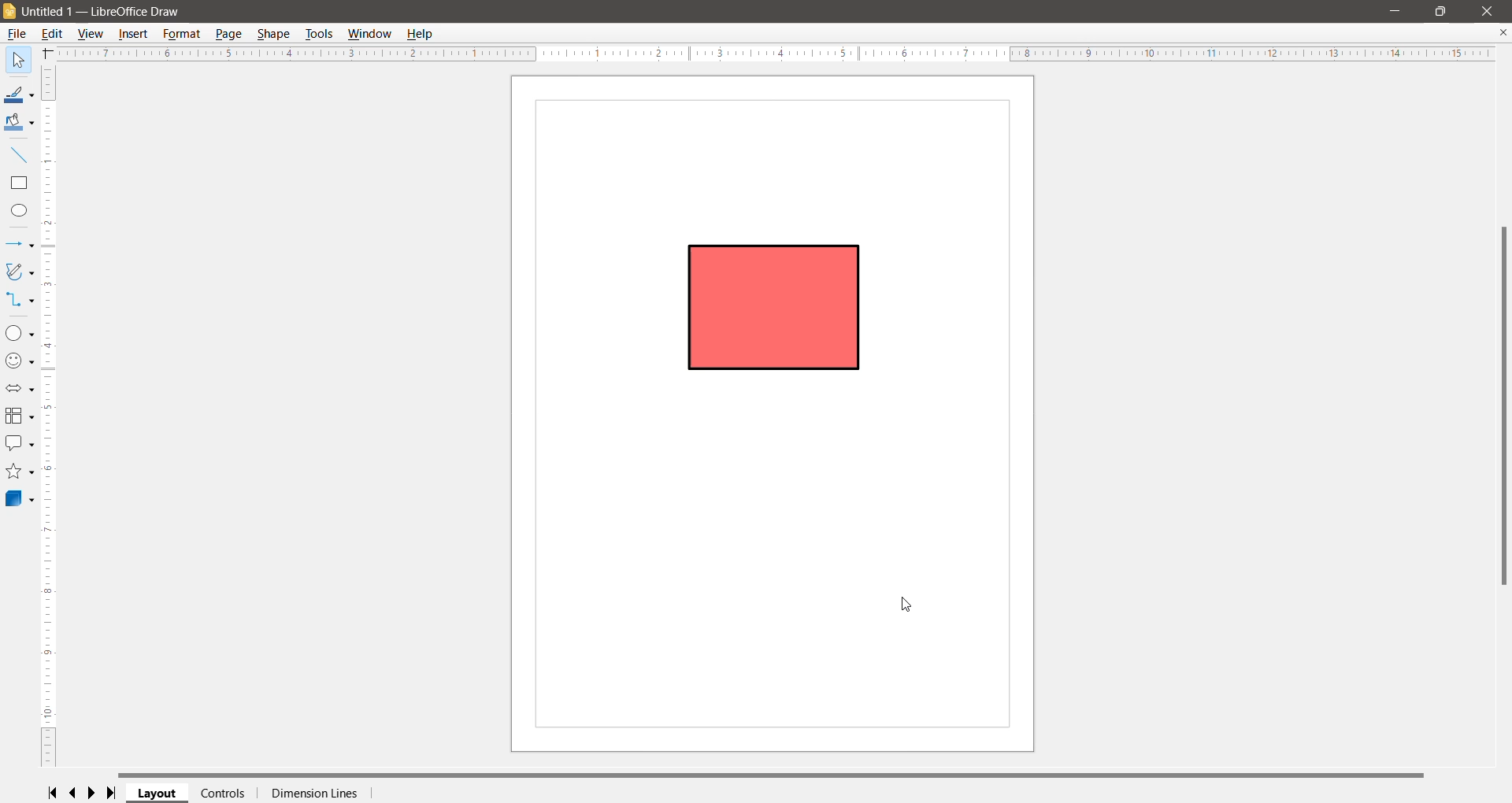 The height and width of the screenshot is (803, 1512). I want to click on Vertical Scroll Bar, so click(50, 415).